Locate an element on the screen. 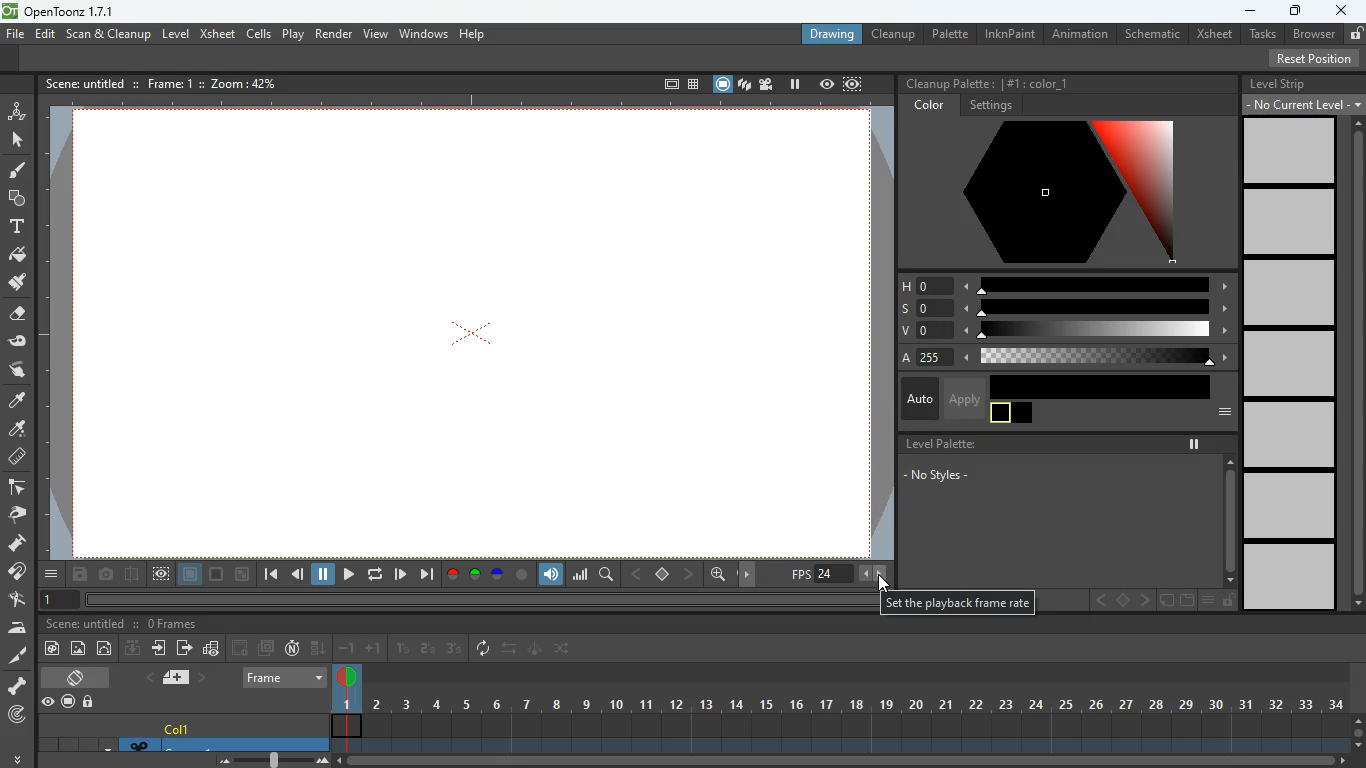 The width and height of the screenshot is (1366, 768). zoom is located at coordinates (719, 573).